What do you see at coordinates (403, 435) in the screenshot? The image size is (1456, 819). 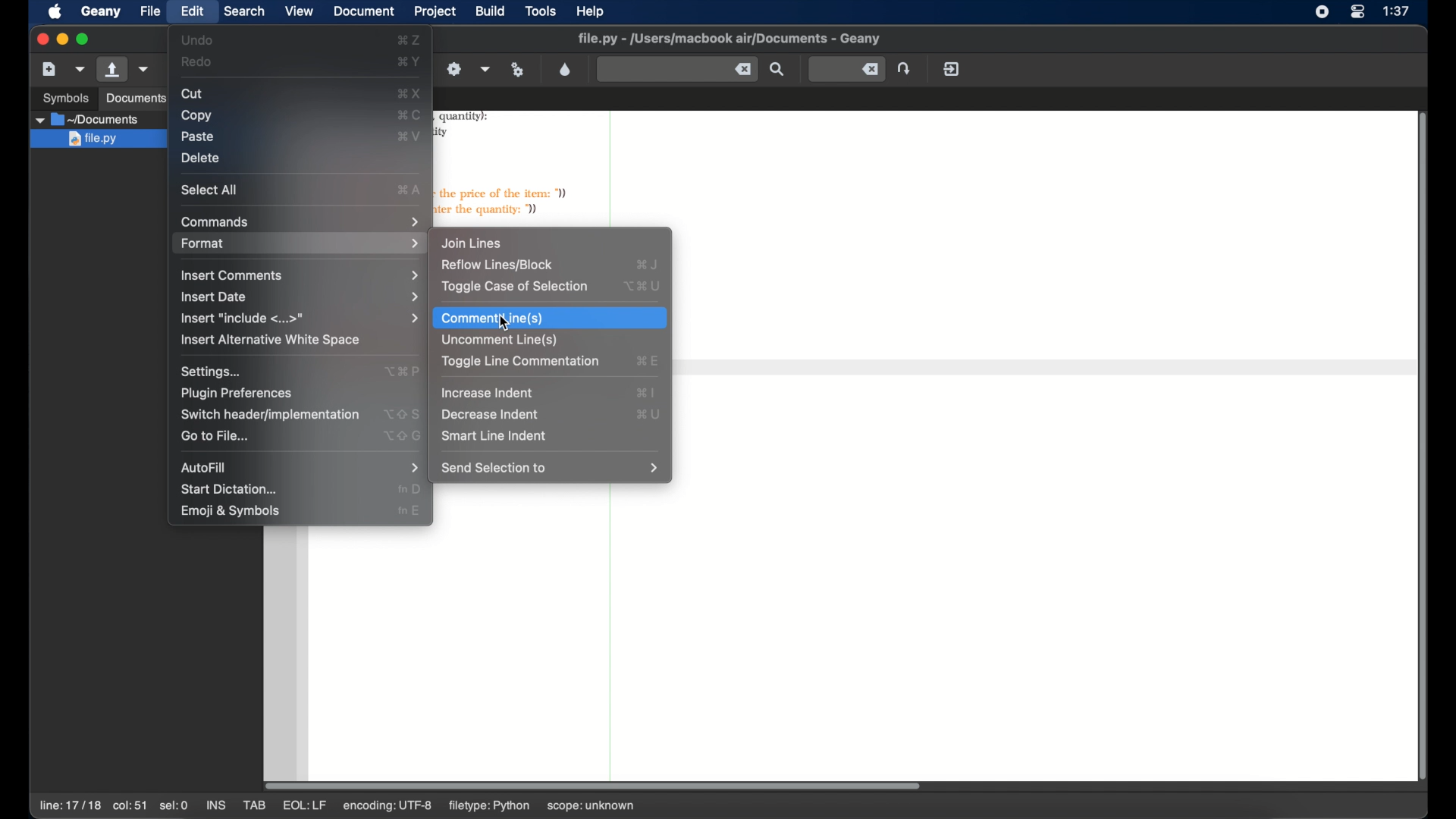 I see `go to file shortcut` at bounding box center [403, 435].